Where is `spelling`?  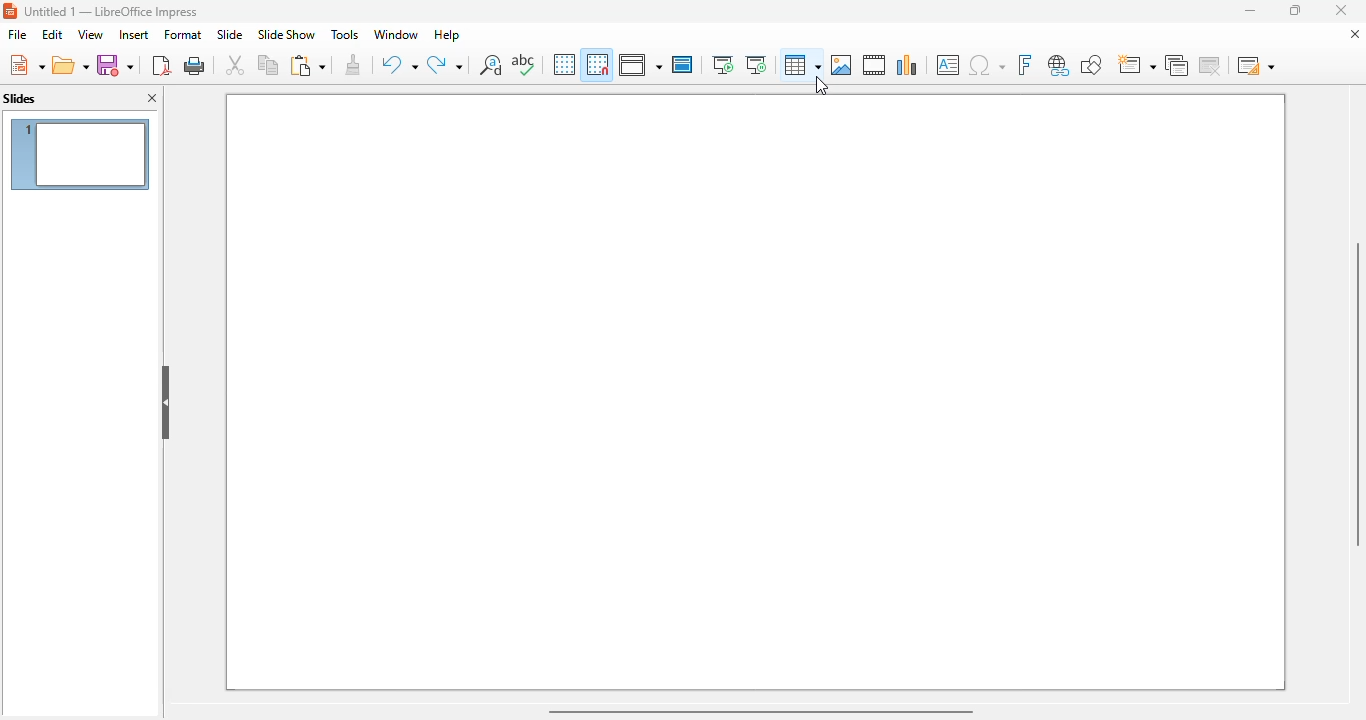
spelling is located at coordinates (522, 65).